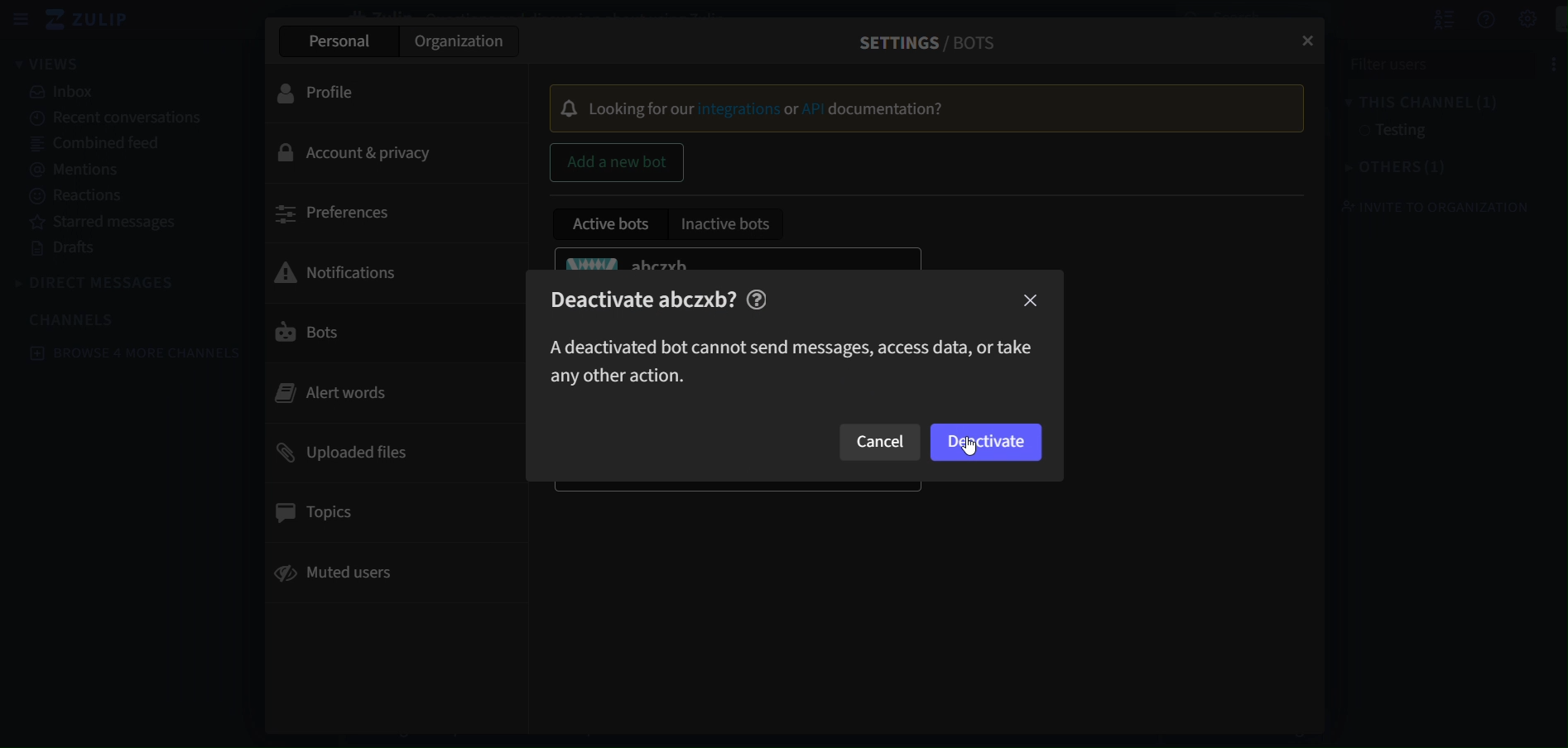 The width and height of the screenshot is (1568, 748). I want to click on deactivate, so click(988, 442).